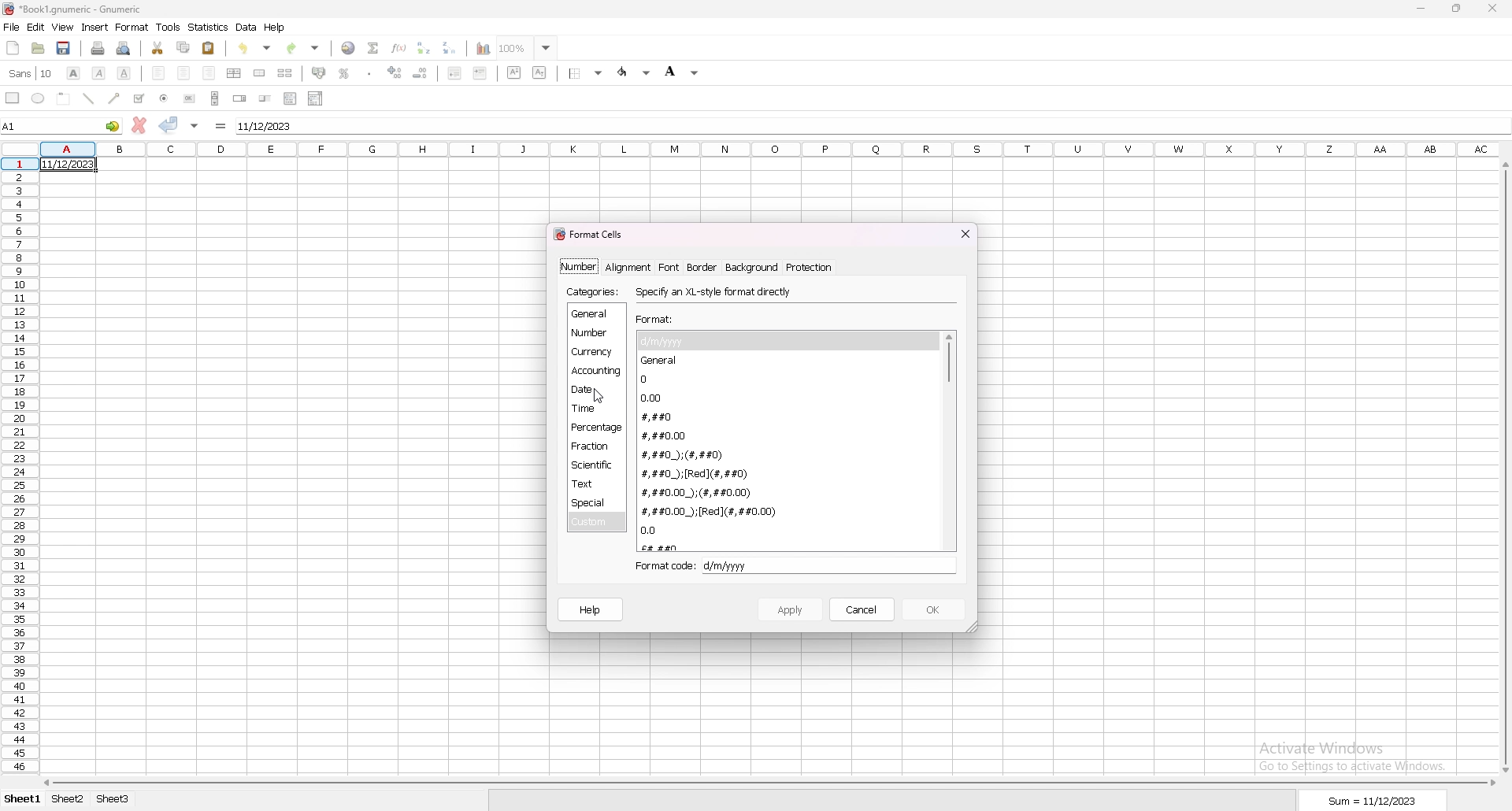 The height and width of the screenshot is (811, 1512). What do you see at coordinates (451, 47) in the screenshot?
I see `sort descending` at bounding box center [451, 47].